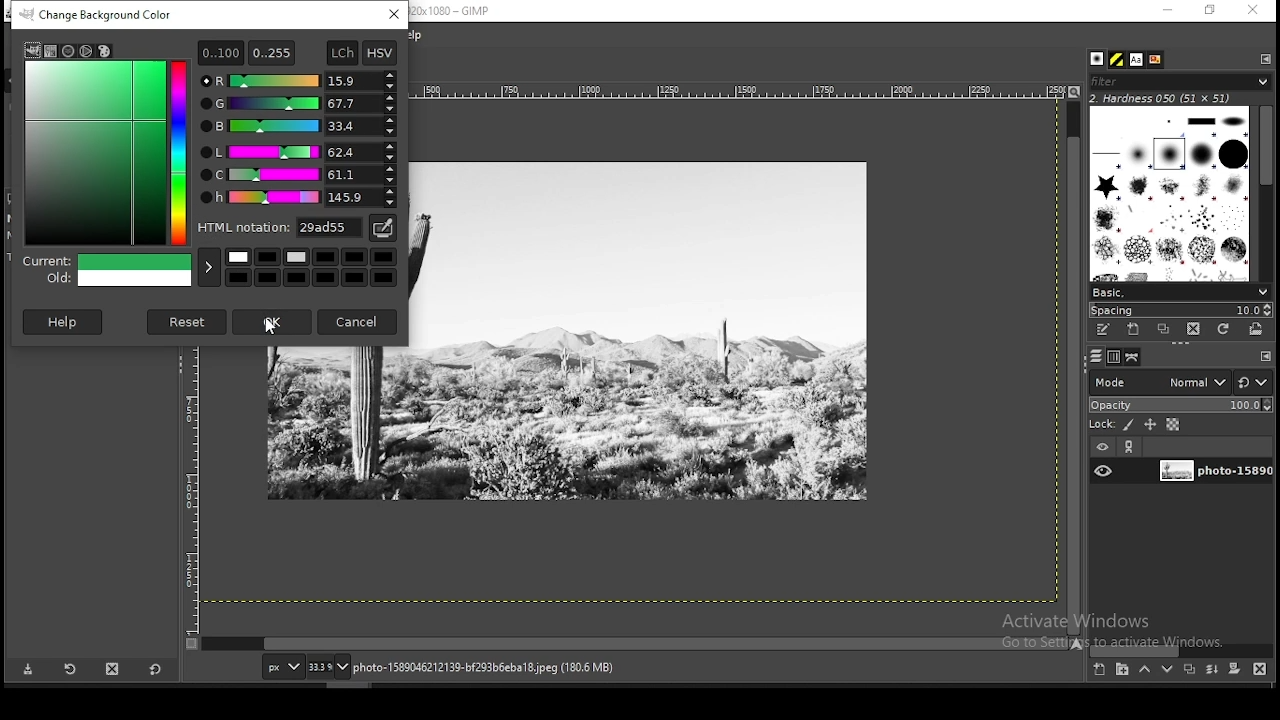 The image size is (1280, 720). I want to click on configure this pane, so click(1264, 58).